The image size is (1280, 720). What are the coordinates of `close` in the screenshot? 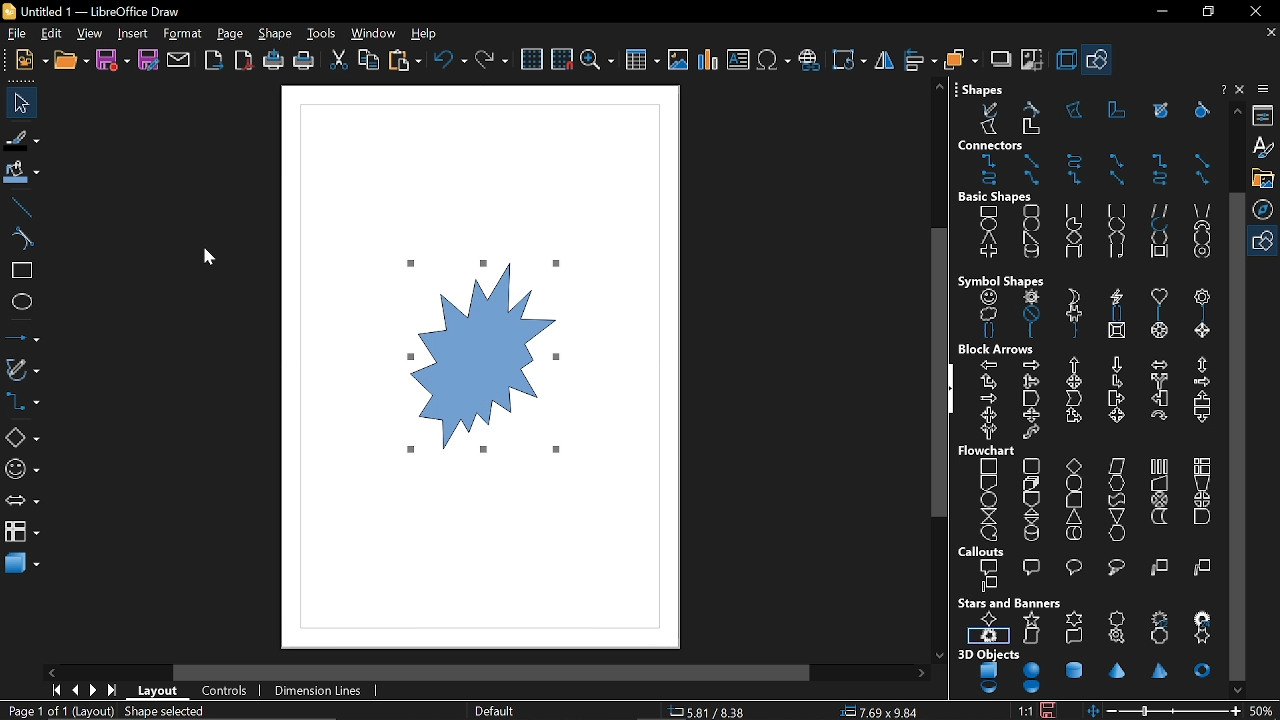 It's located at (1252, 11).